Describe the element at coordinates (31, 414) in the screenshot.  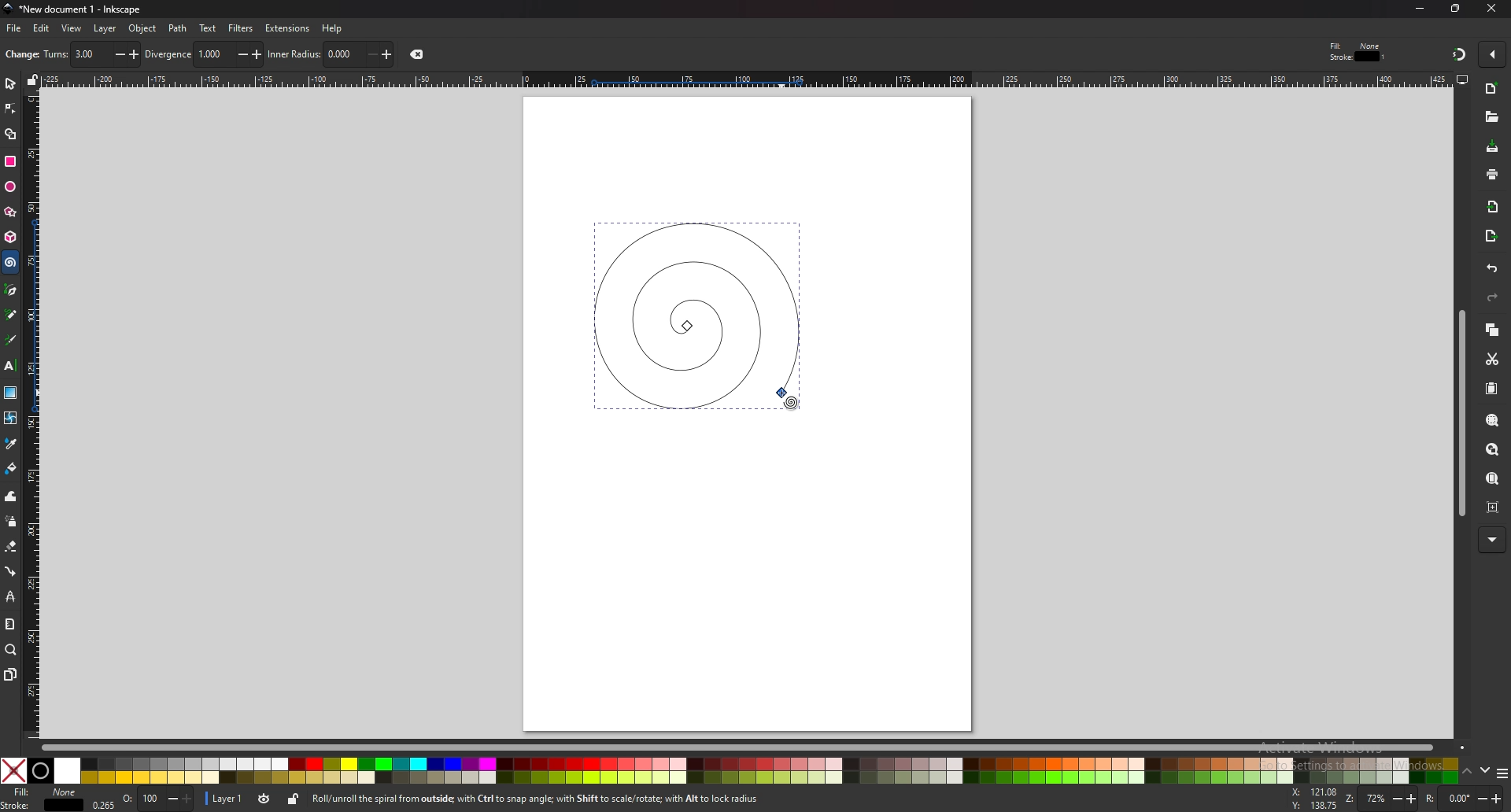
I see `vertical scale` at that location.